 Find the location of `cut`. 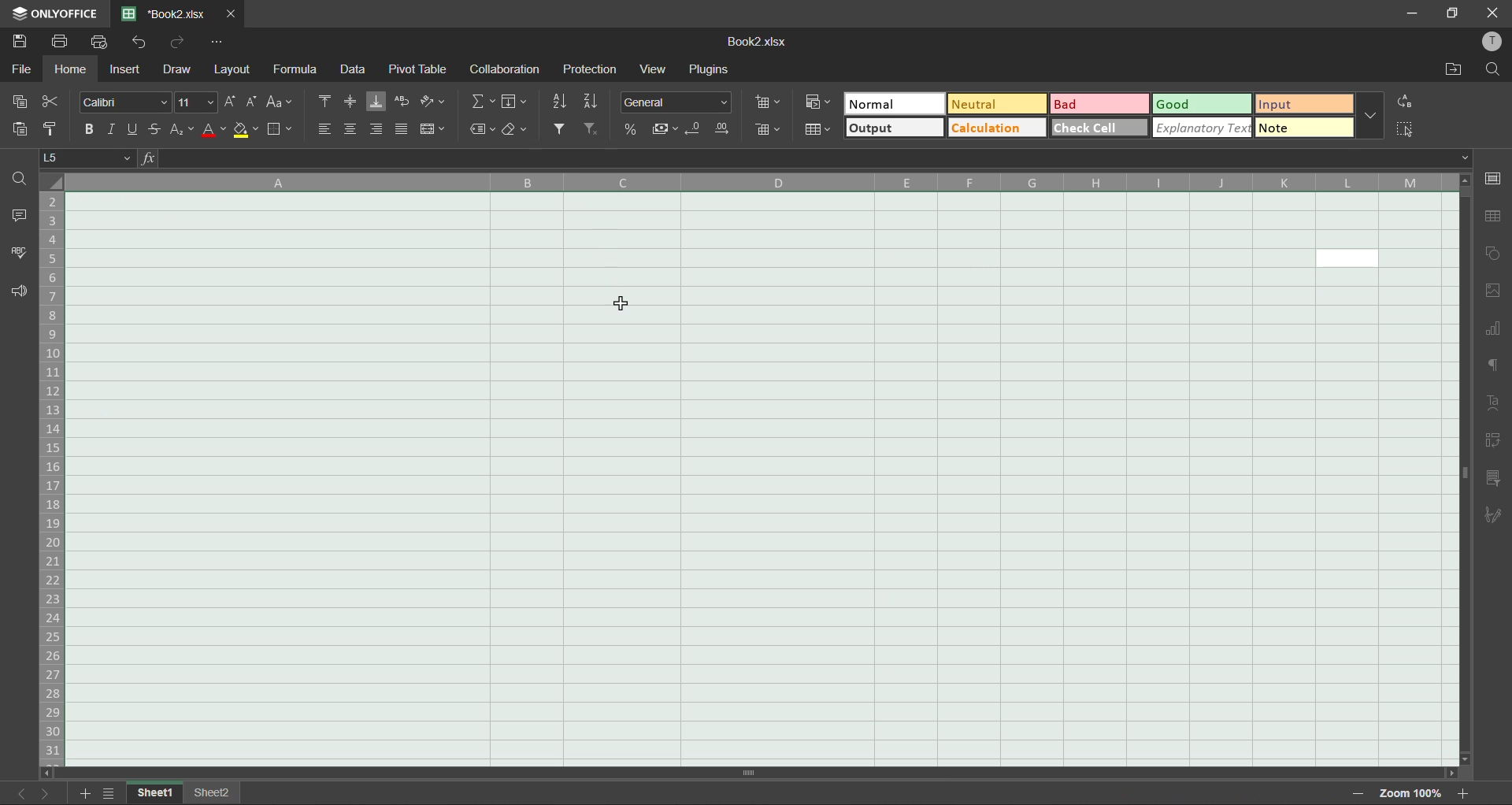

cut is located at coordinates (51, 99).